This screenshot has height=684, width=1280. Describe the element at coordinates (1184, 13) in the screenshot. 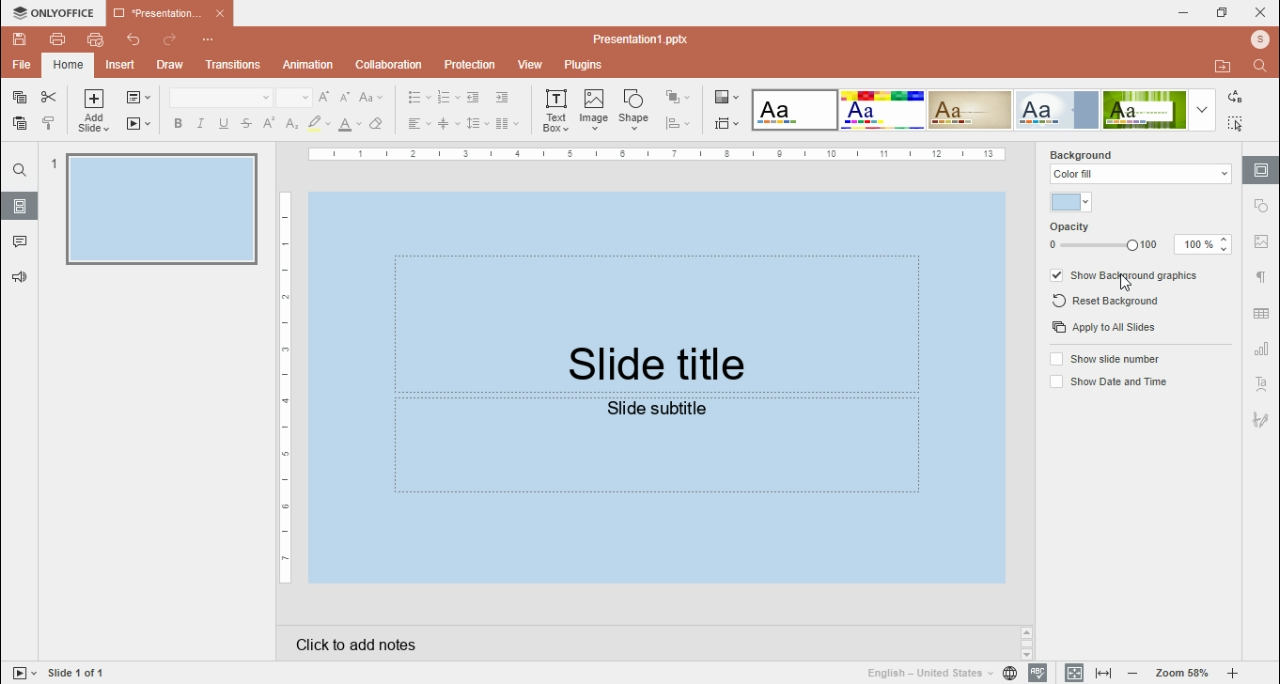

I see `minimize` at that location.